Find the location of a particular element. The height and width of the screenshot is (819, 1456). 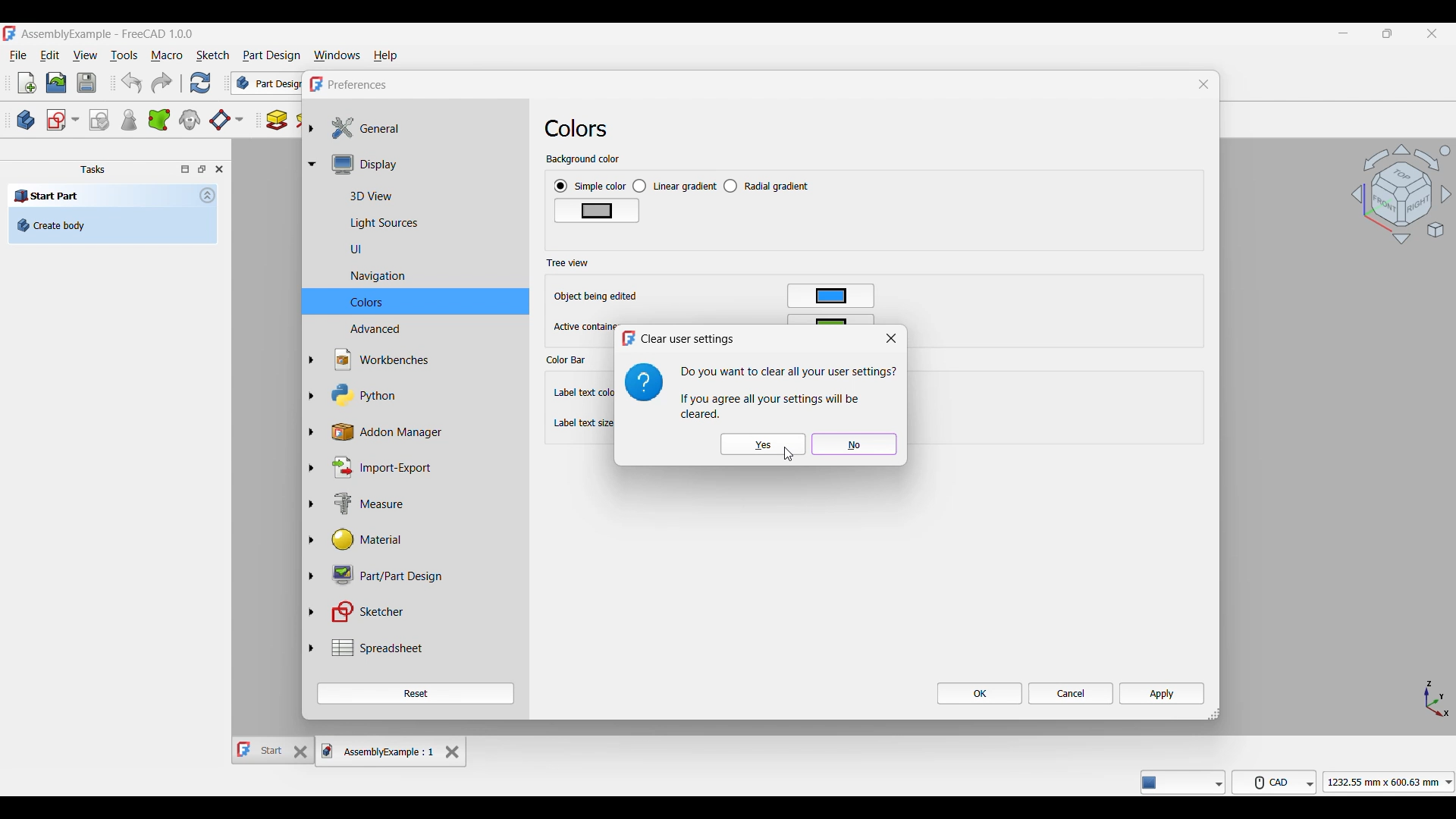

Workbench settings is located at coordinates (372, 360).